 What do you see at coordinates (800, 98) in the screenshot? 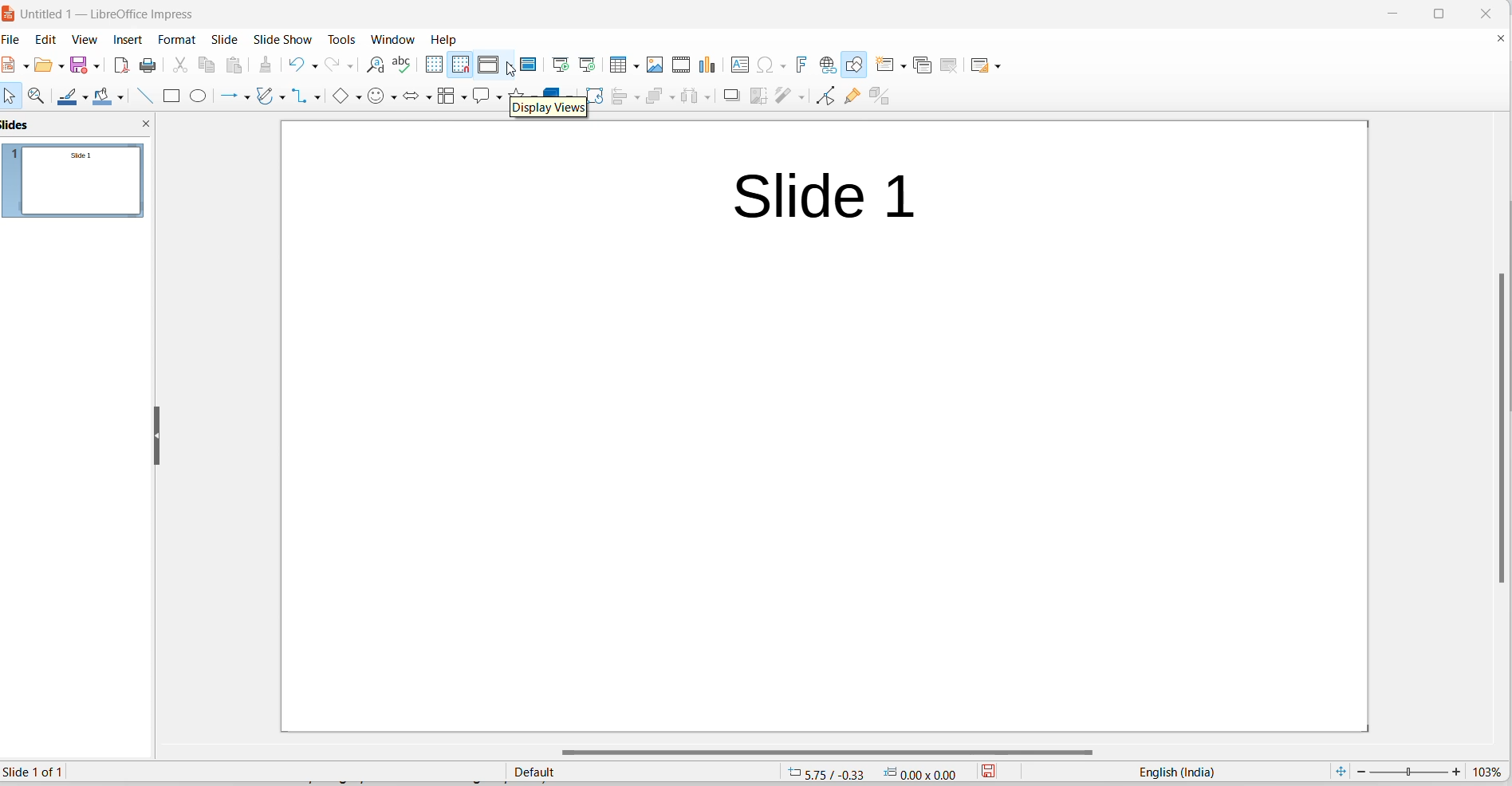
I see `filters options` at bounding box center [800, 98].